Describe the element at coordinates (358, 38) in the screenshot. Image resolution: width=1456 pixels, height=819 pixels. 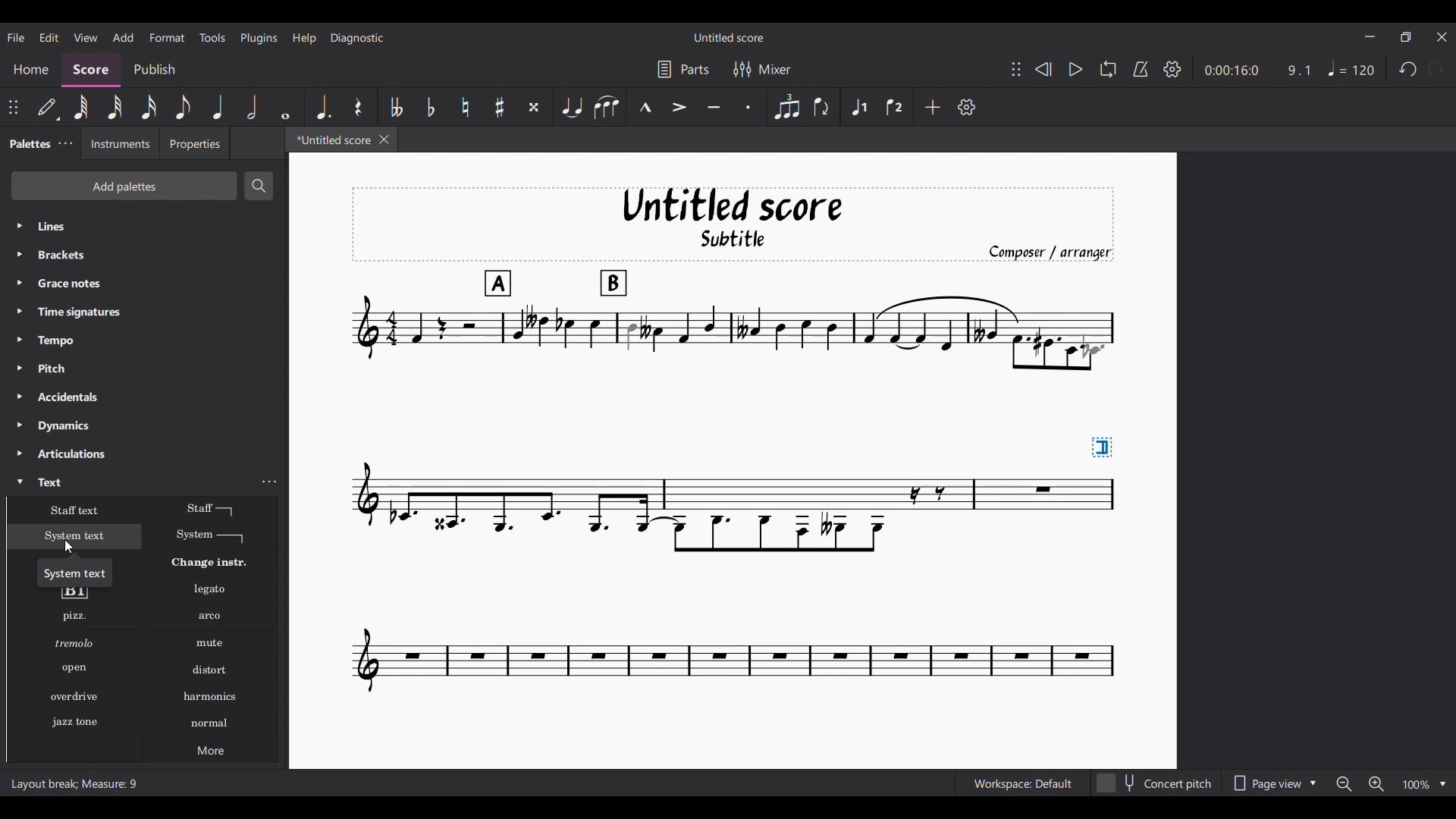
I see `Diagnostic menu` at that location.